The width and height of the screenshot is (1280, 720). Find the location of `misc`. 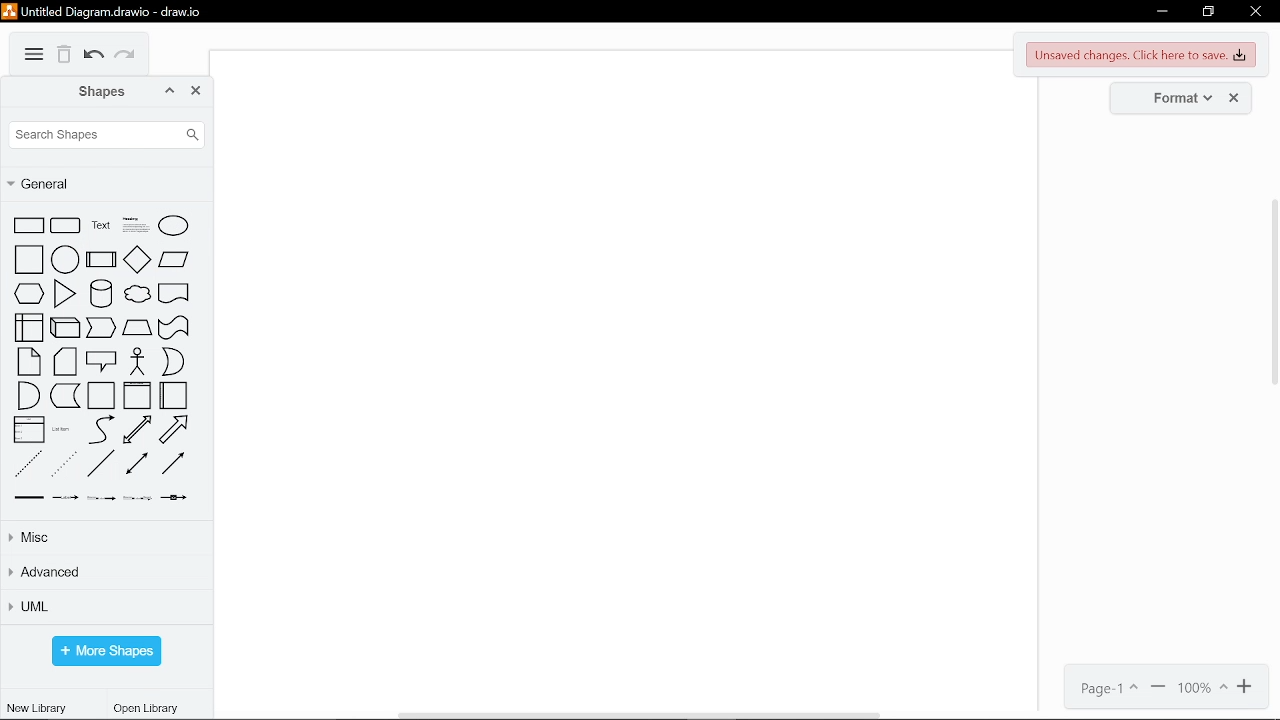

misc is located at coordinates (108, 537).